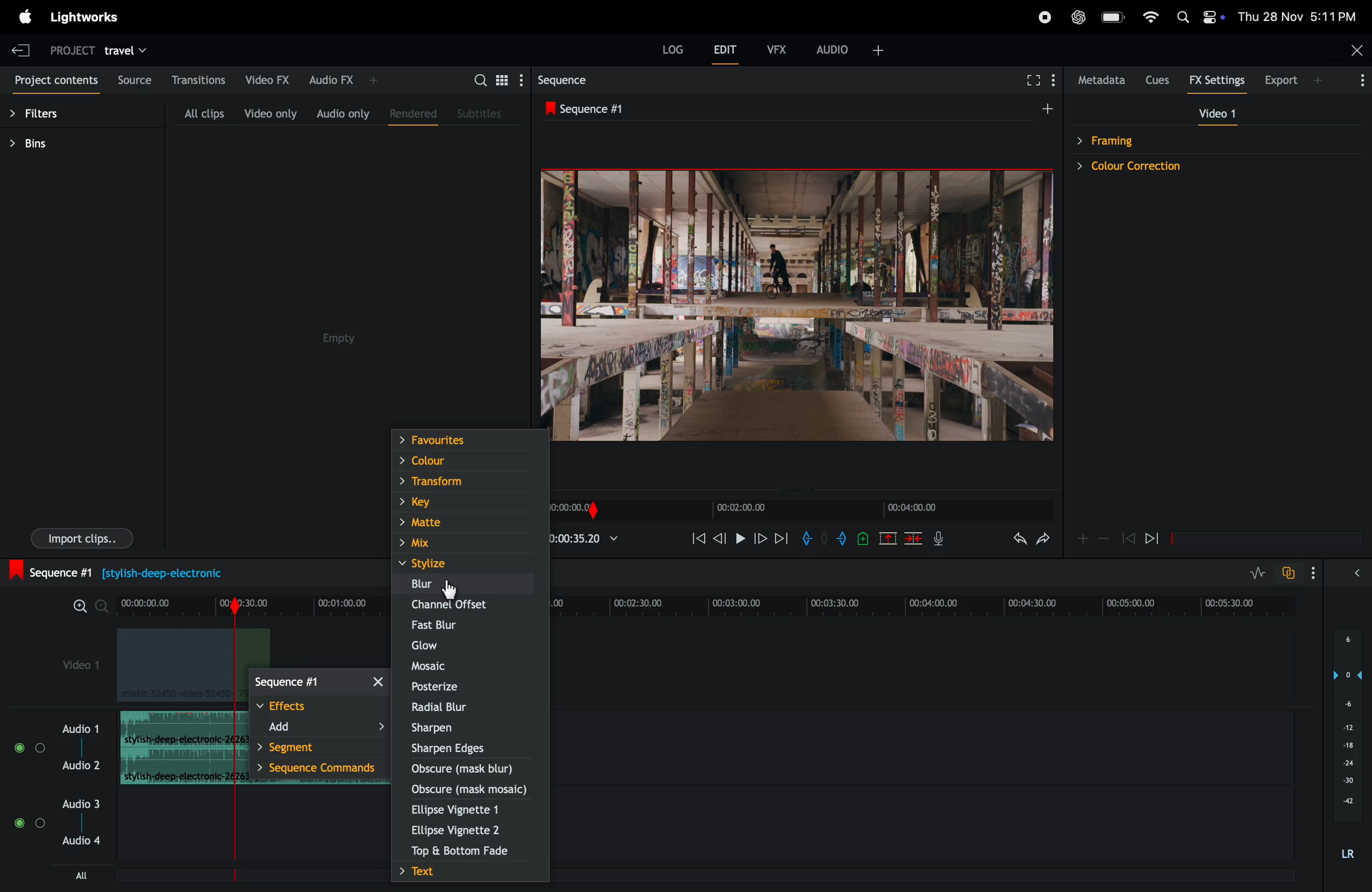 This screenshot has height=892, width=1372. I want to click on audio , so click(853, 48).